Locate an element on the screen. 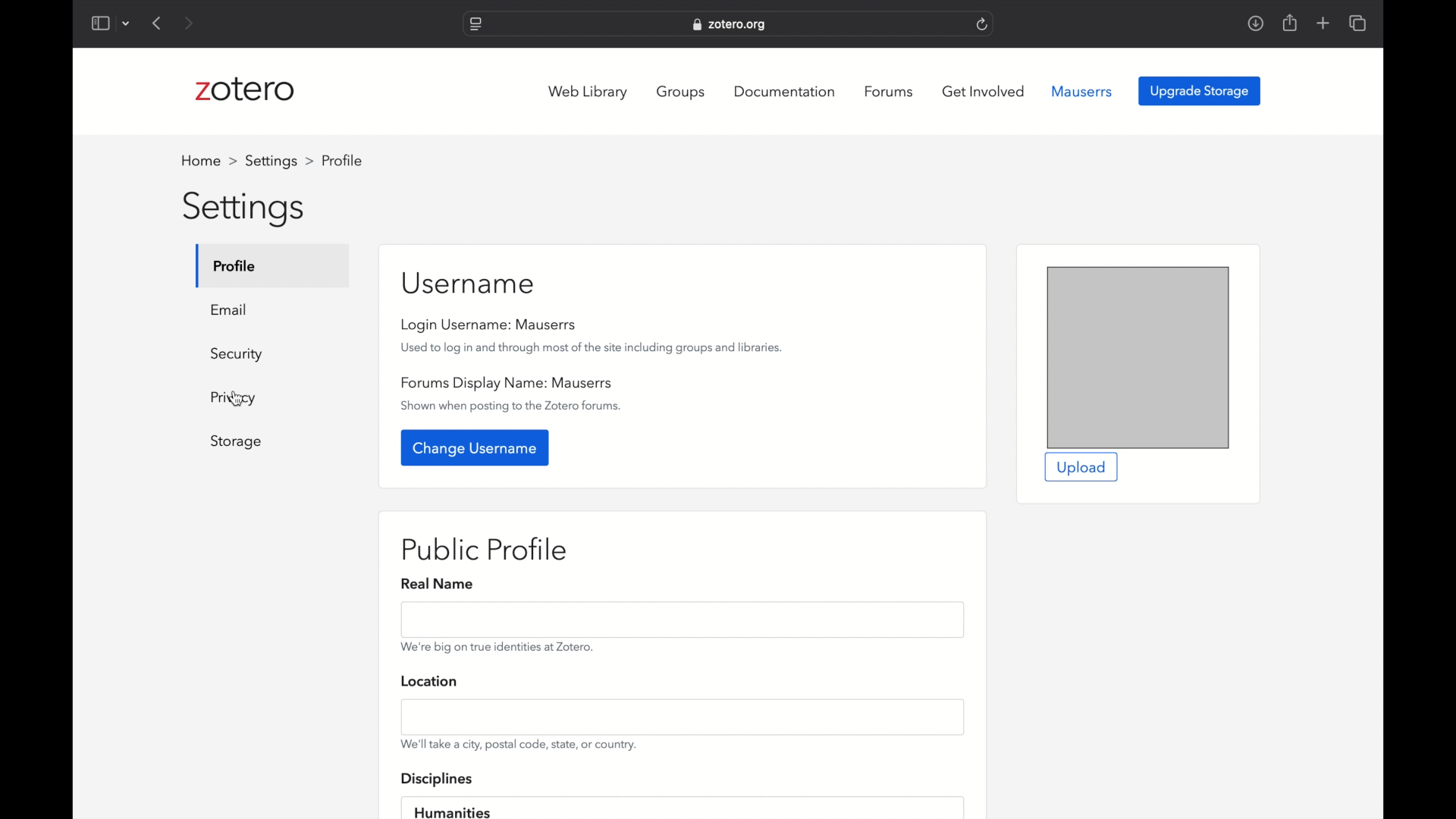 This screenshot has width=1456, height=819. settings is located at coordinates (279, 161).